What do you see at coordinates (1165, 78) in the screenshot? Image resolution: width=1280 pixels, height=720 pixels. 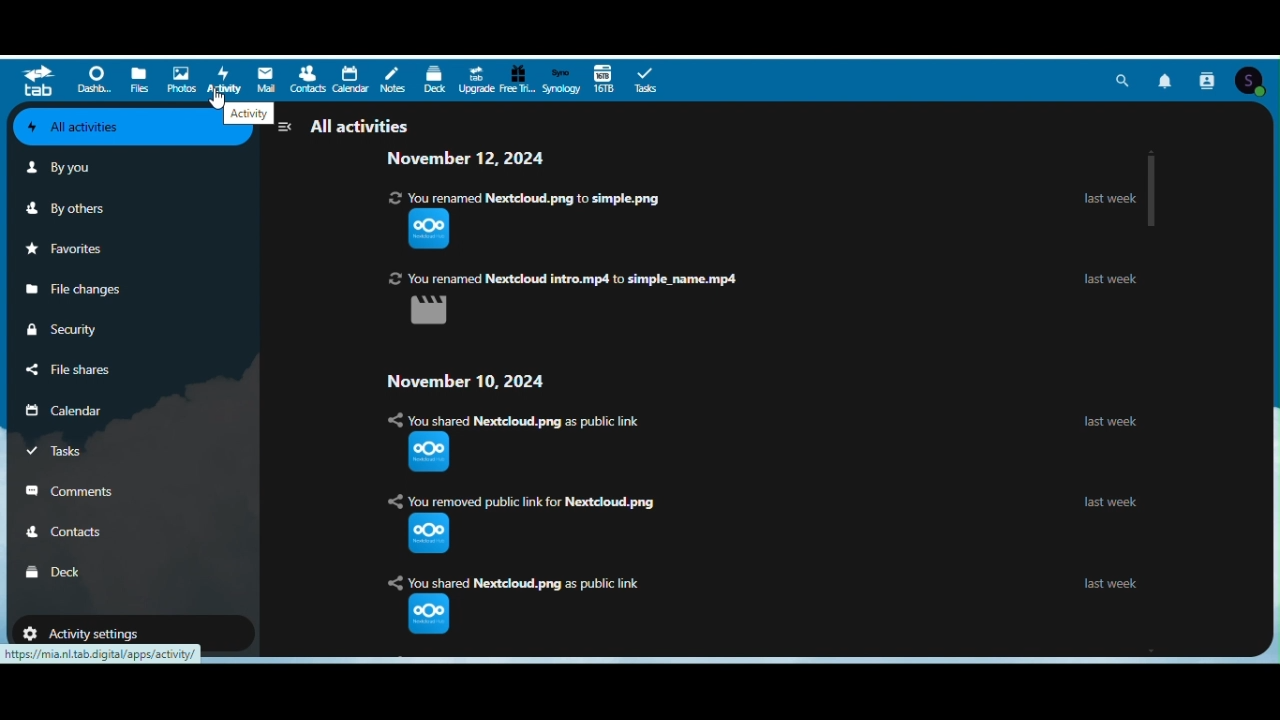 I see `Notifications` at bounding box center [1165, 78].